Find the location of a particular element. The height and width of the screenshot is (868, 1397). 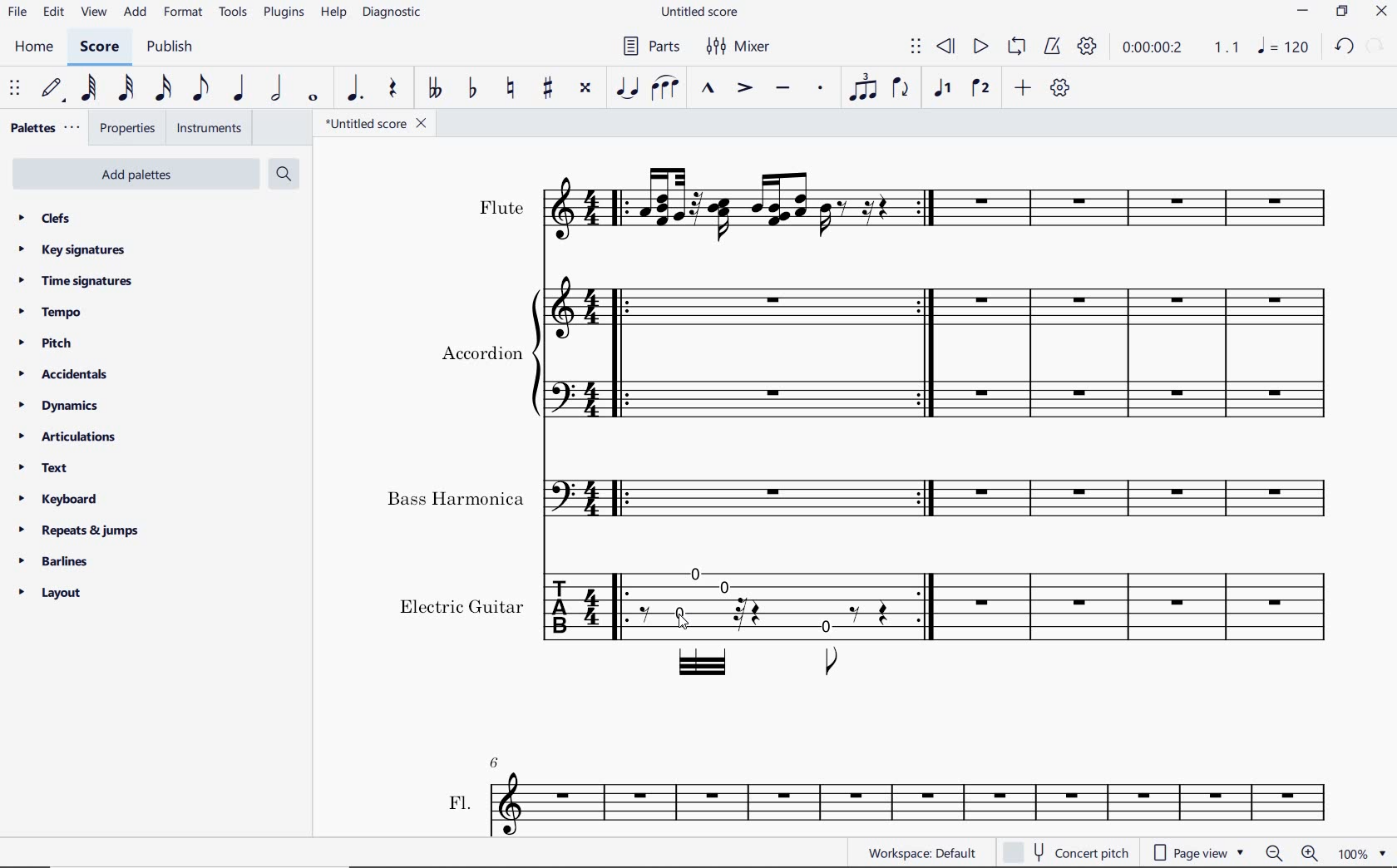

dynamics is located at coordinates (60, 406).